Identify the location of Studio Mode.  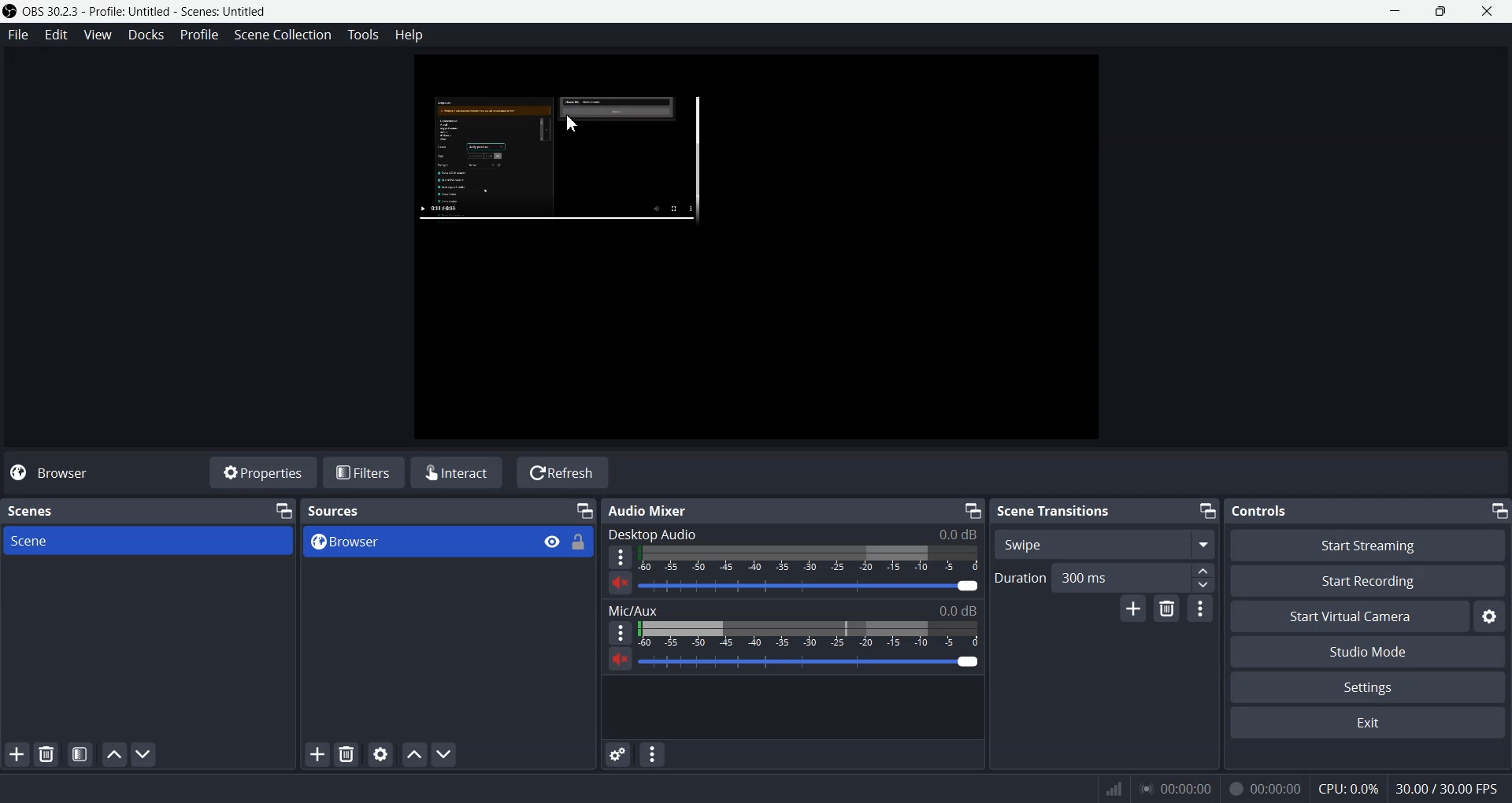
(1366, 651).